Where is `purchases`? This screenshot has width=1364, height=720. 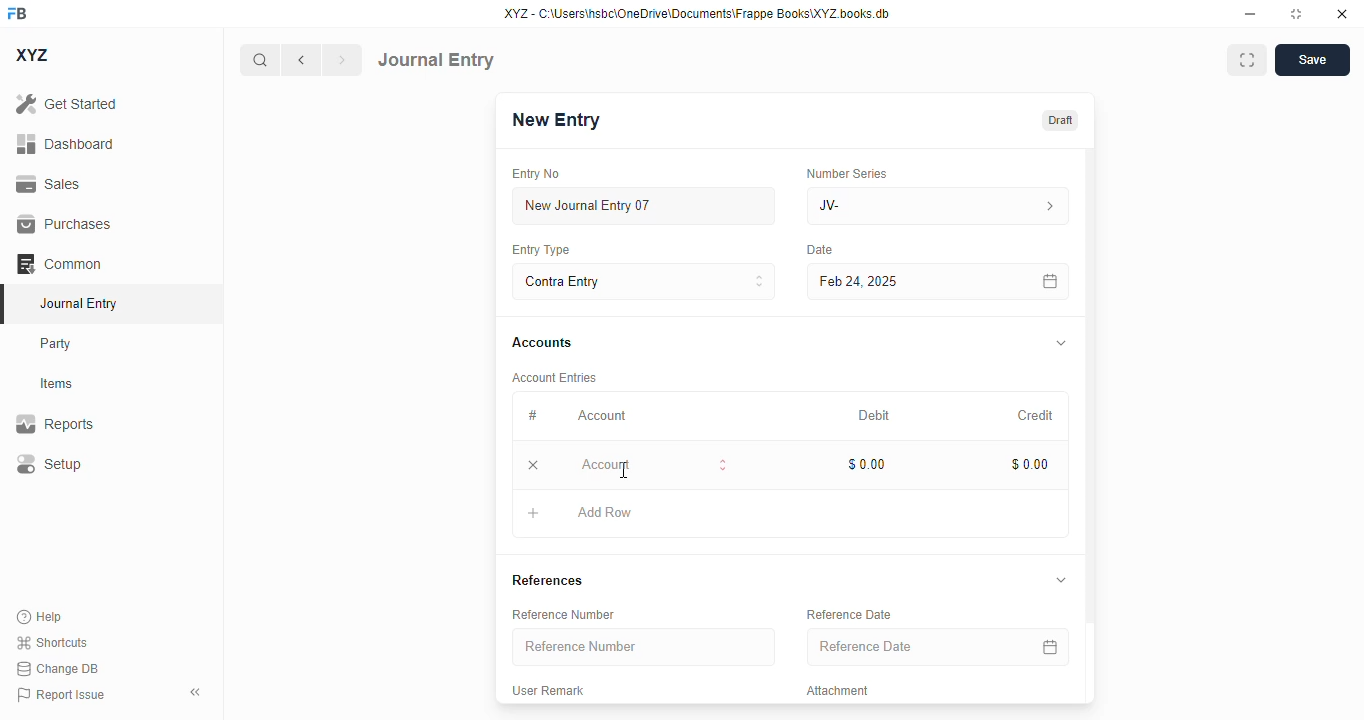
purchases is located at coordinates (66, 224).